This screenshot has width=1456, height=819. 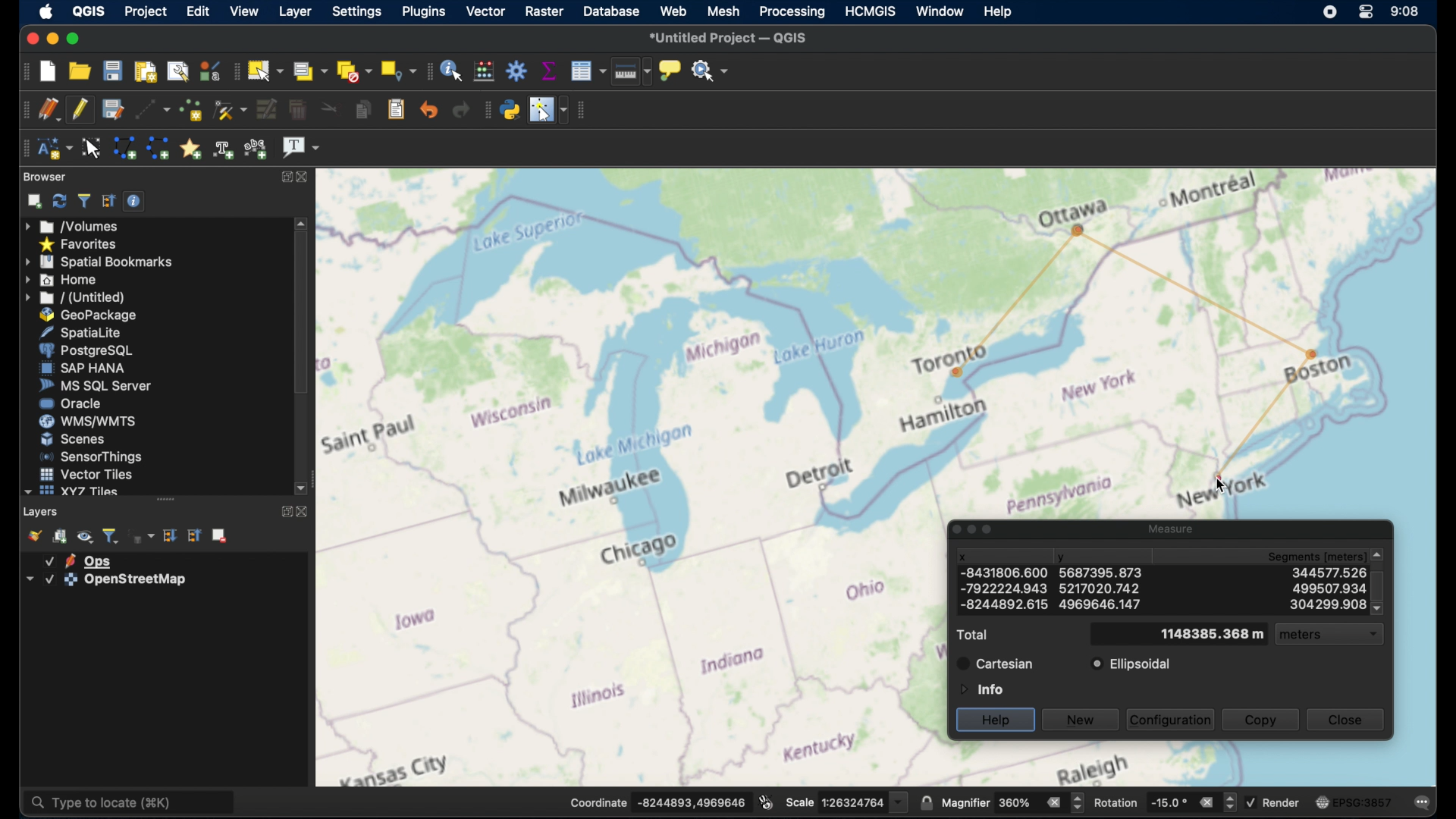 I want to click on window, so click(x=941, y=10).